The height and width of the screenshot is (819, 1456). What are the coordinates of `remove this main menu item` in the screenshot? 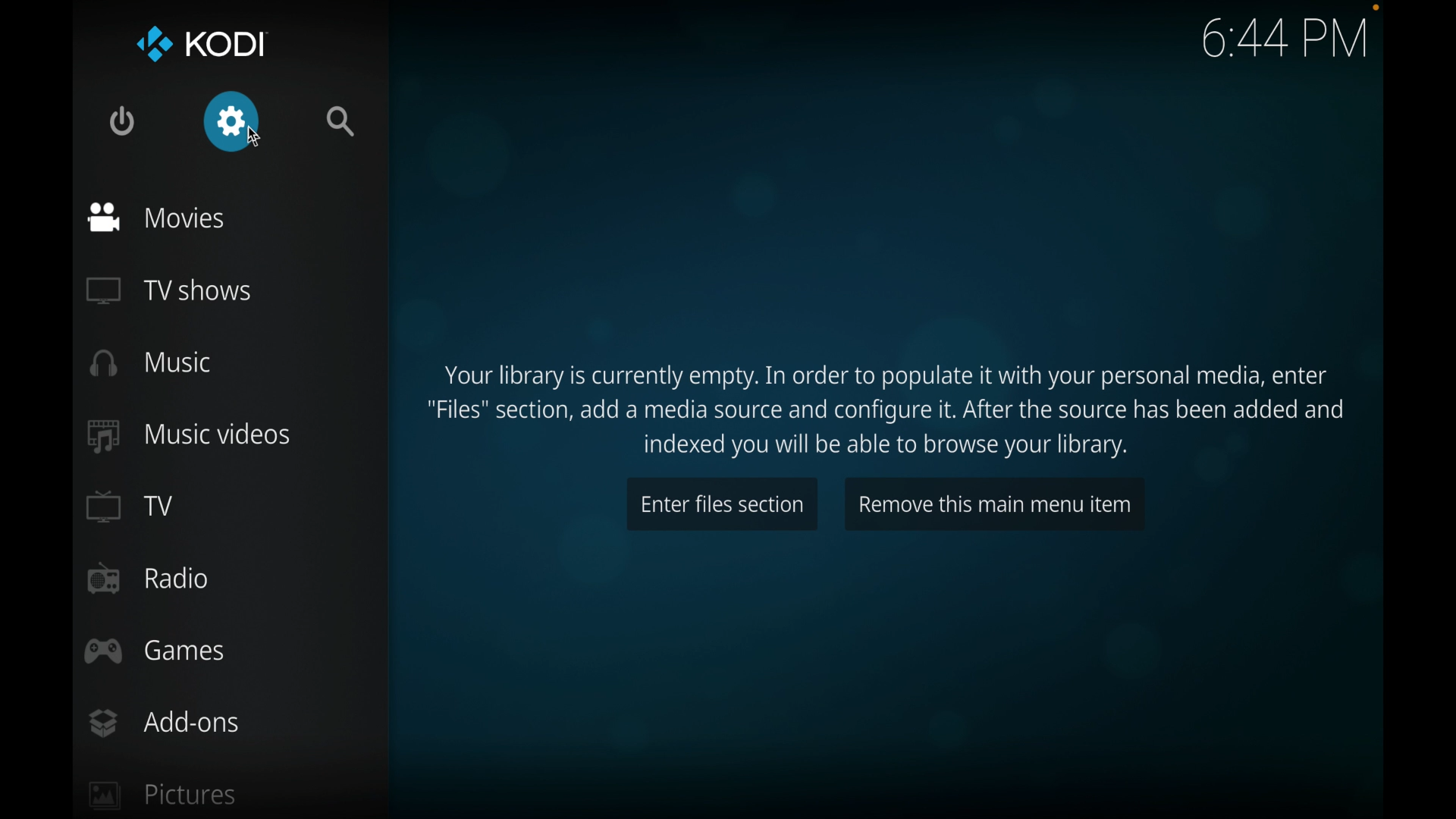 It's located at (995, 502).